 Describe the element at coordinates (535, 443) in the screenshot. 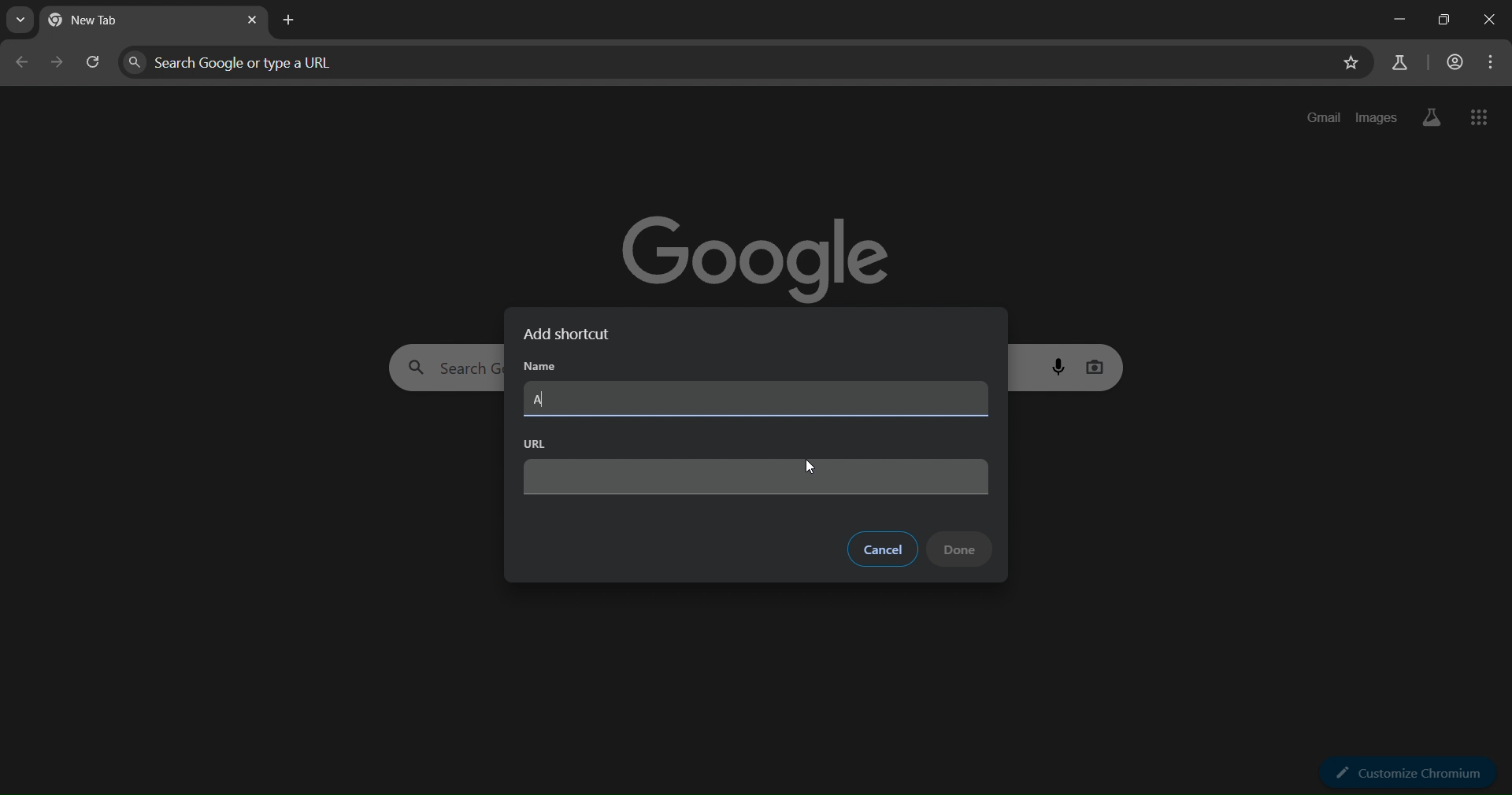

I see `URL` at that location.